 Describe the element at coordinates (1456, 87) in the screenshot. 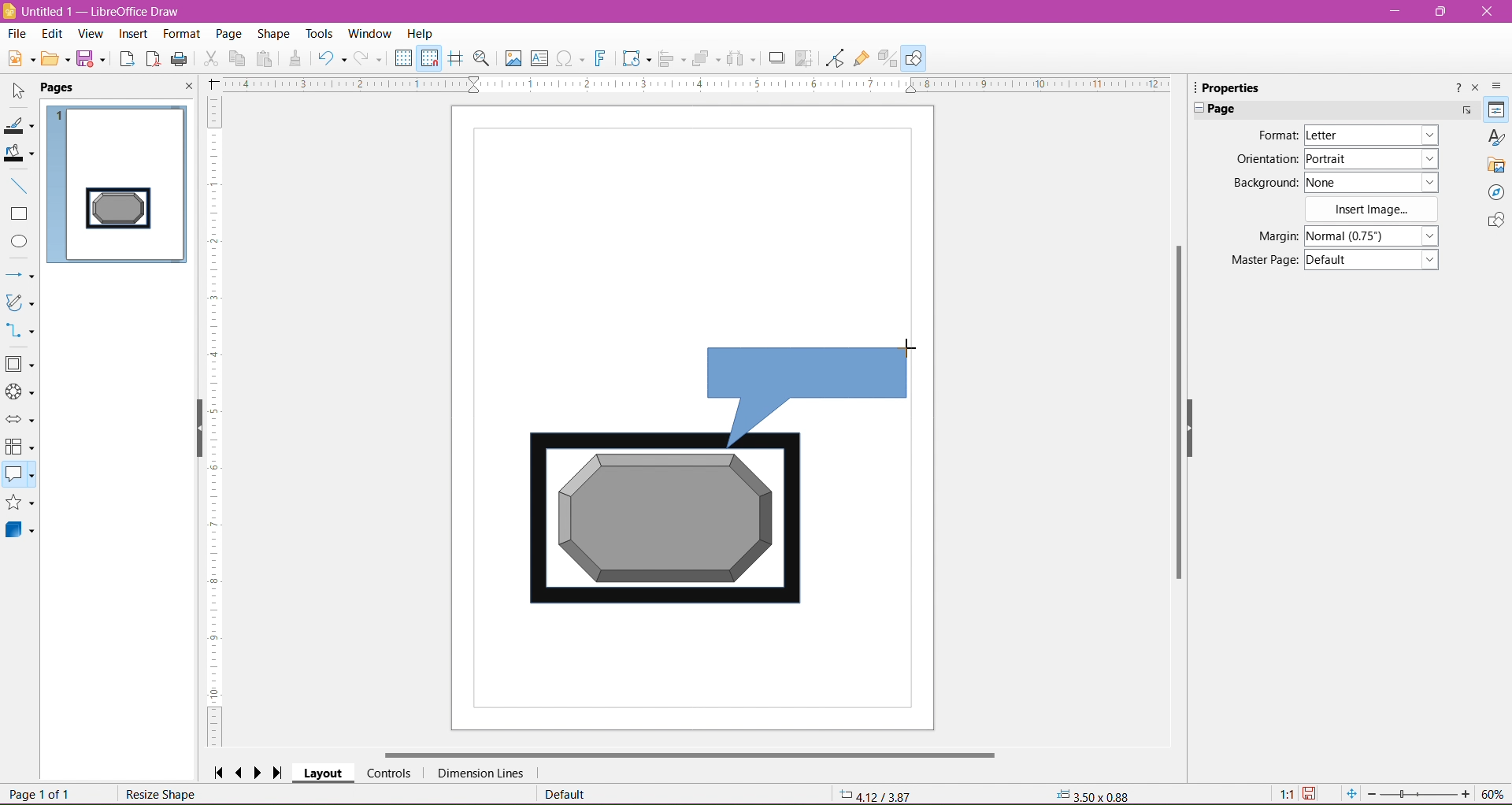

I see `Help about this sidebar deck` at that location.